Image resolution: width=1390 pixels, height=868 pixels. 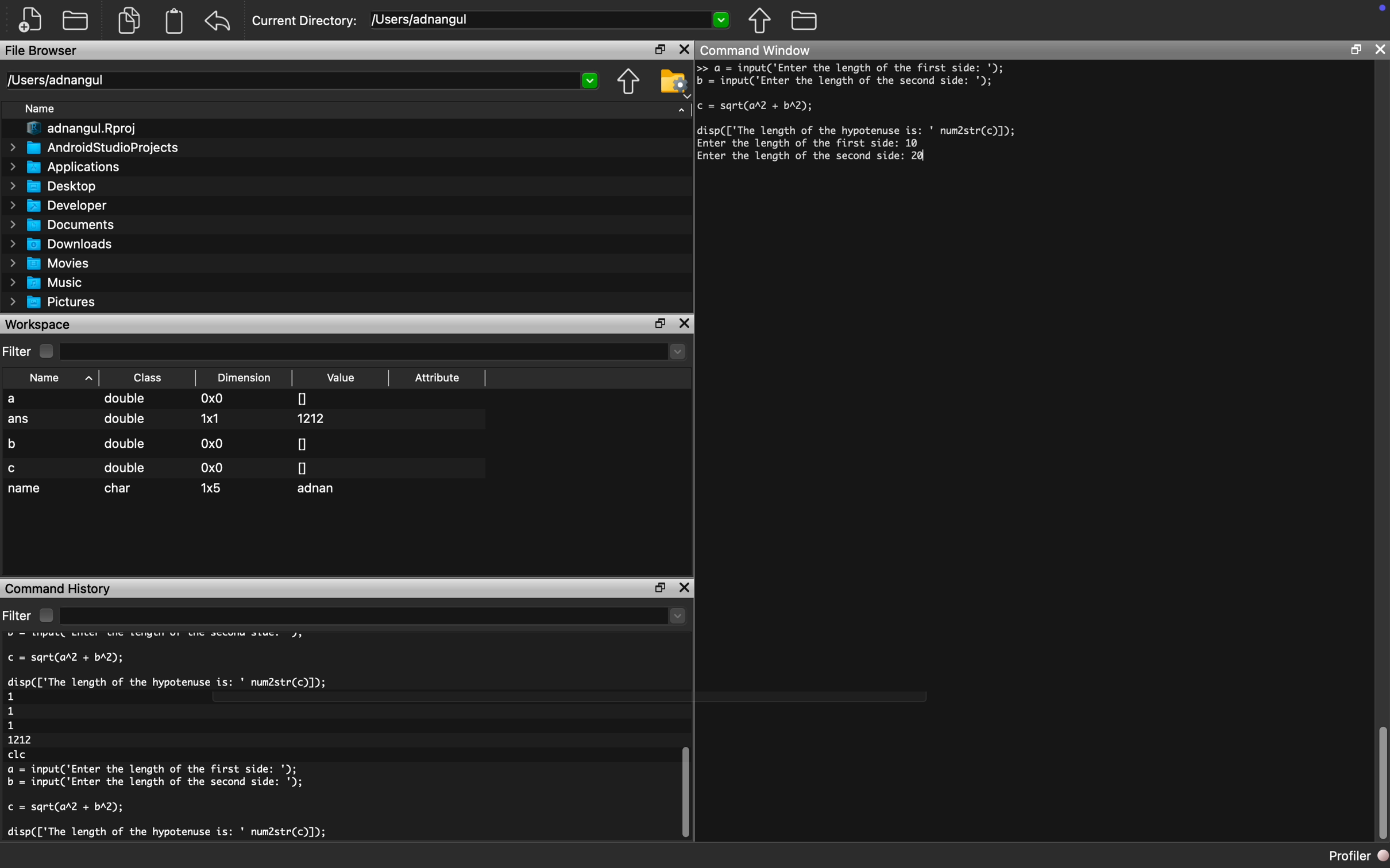 I want to click on File Browser, so click(x=43, y=52).